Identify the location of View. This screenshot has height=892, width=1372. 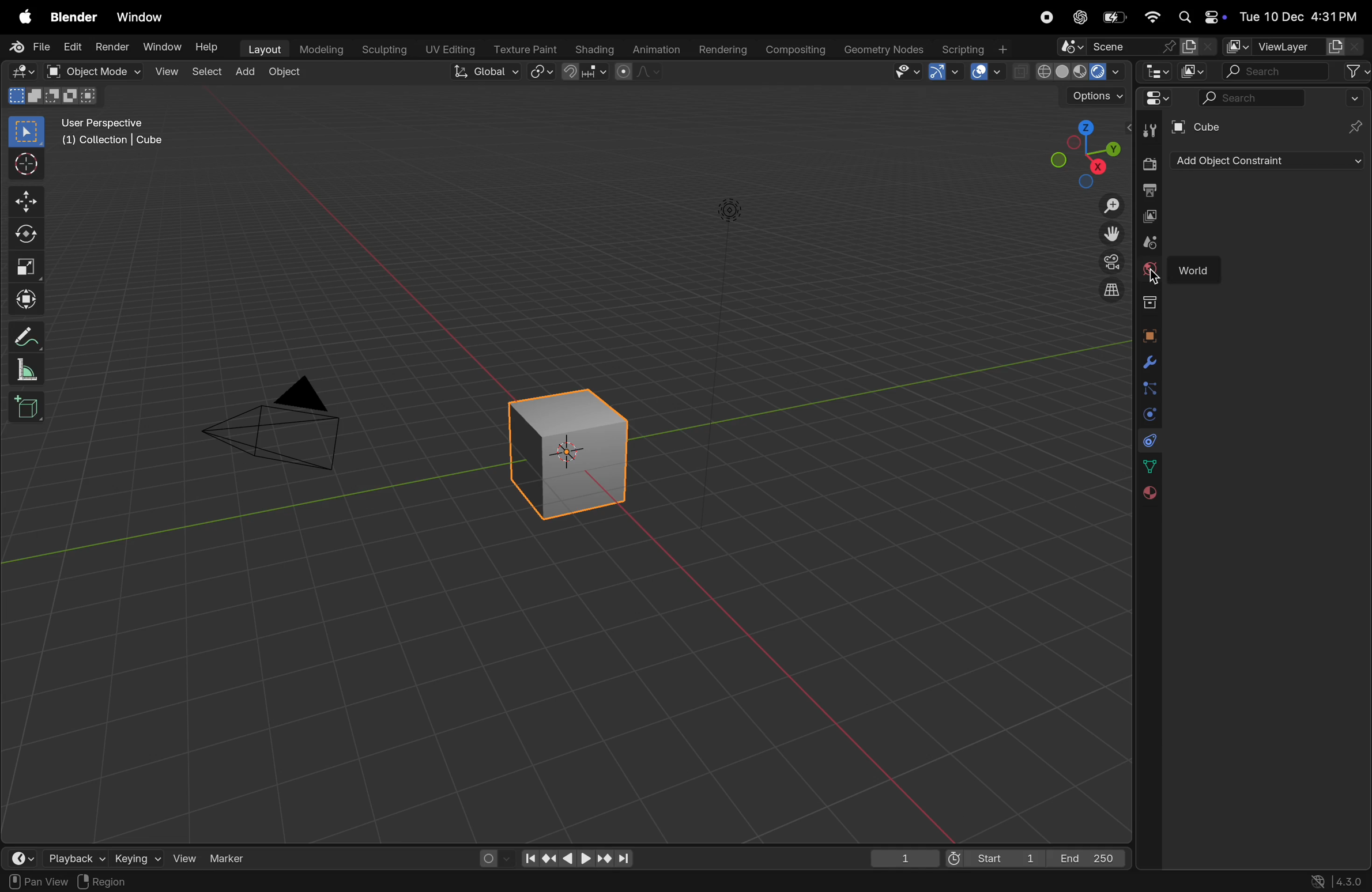
(164, 71).